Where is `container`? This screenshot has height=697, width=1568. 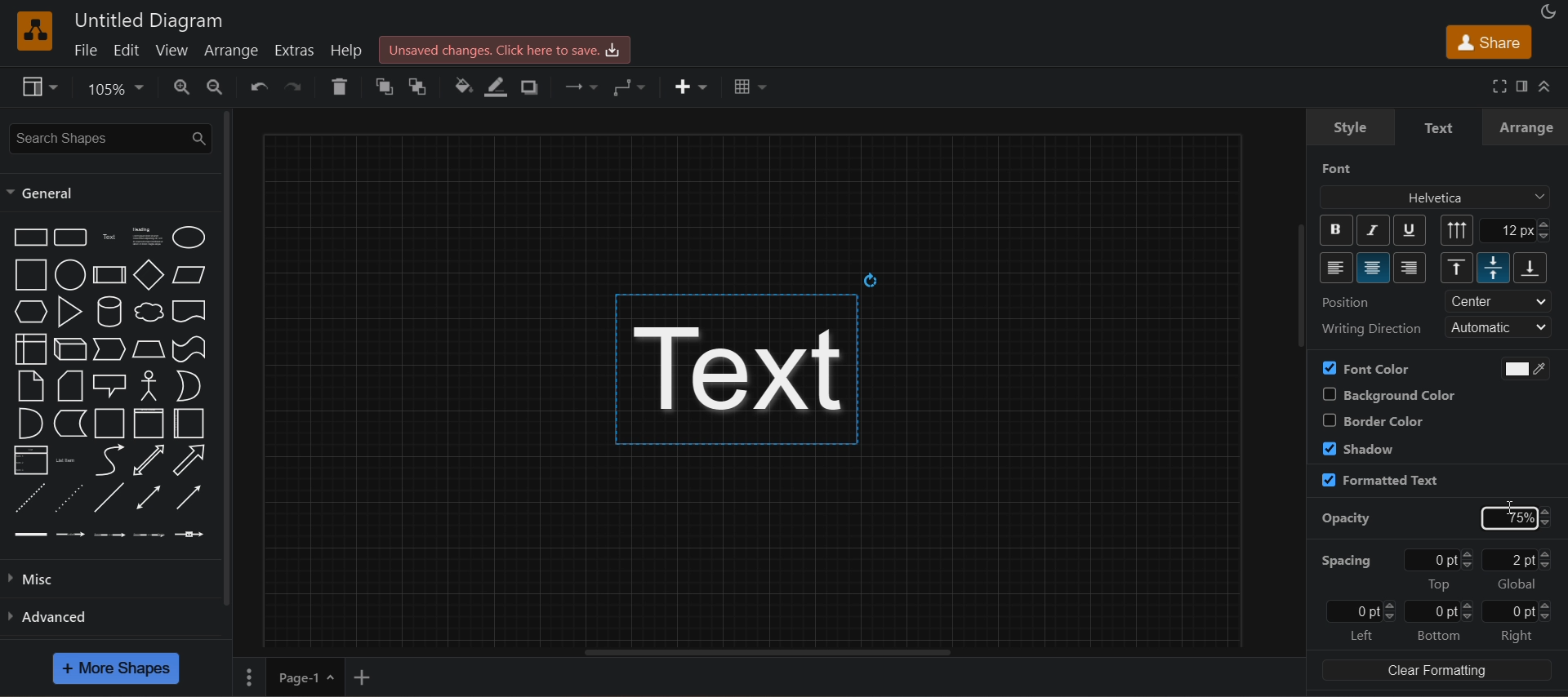
container is located at coordinates (110, 423).